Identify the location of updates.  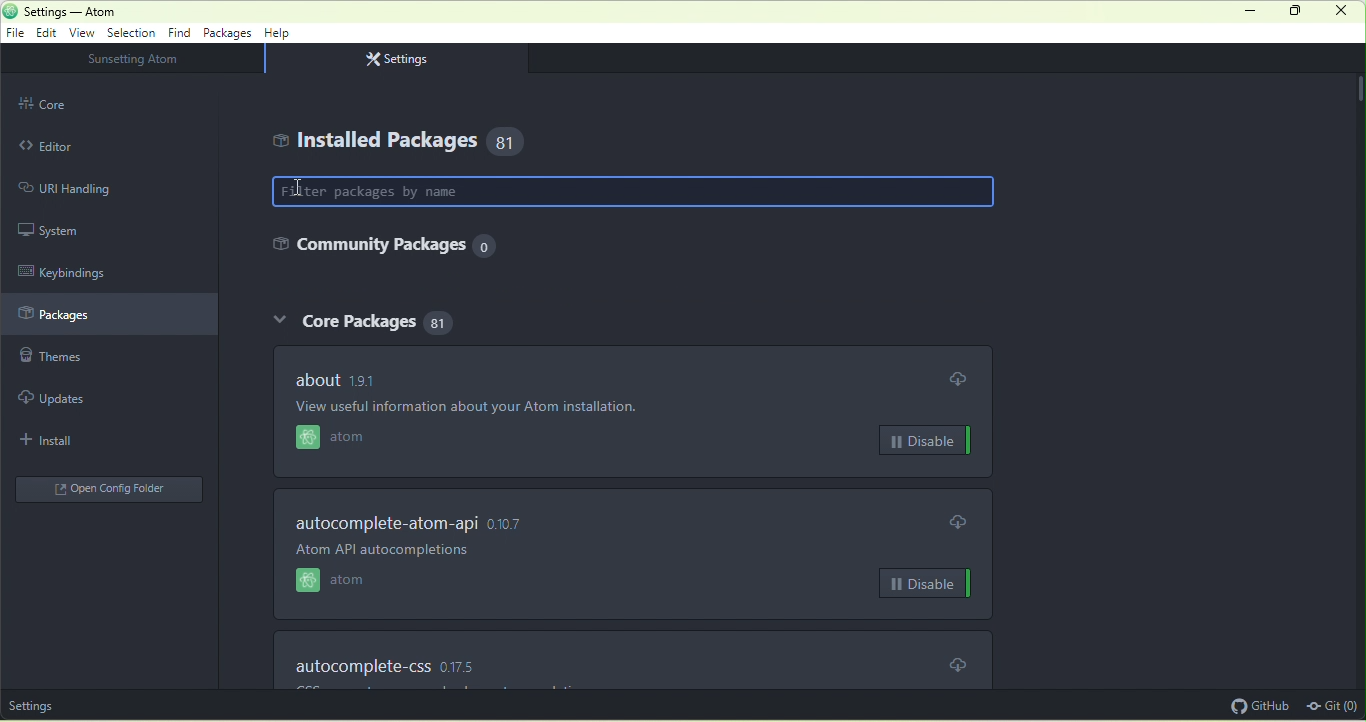
(73, 398).